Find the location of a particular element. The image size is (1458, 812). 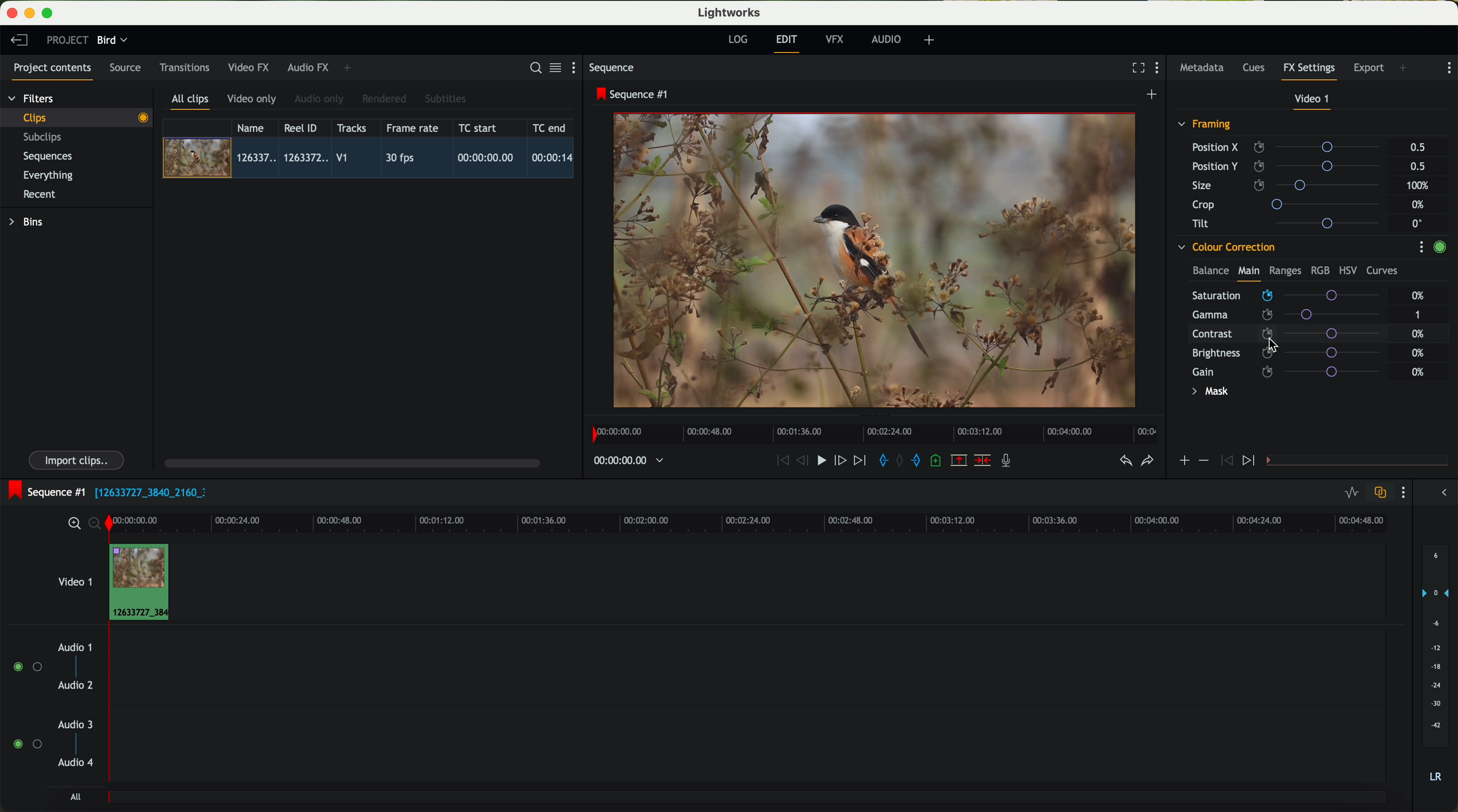

icon is located at coordinates (1203, 461).